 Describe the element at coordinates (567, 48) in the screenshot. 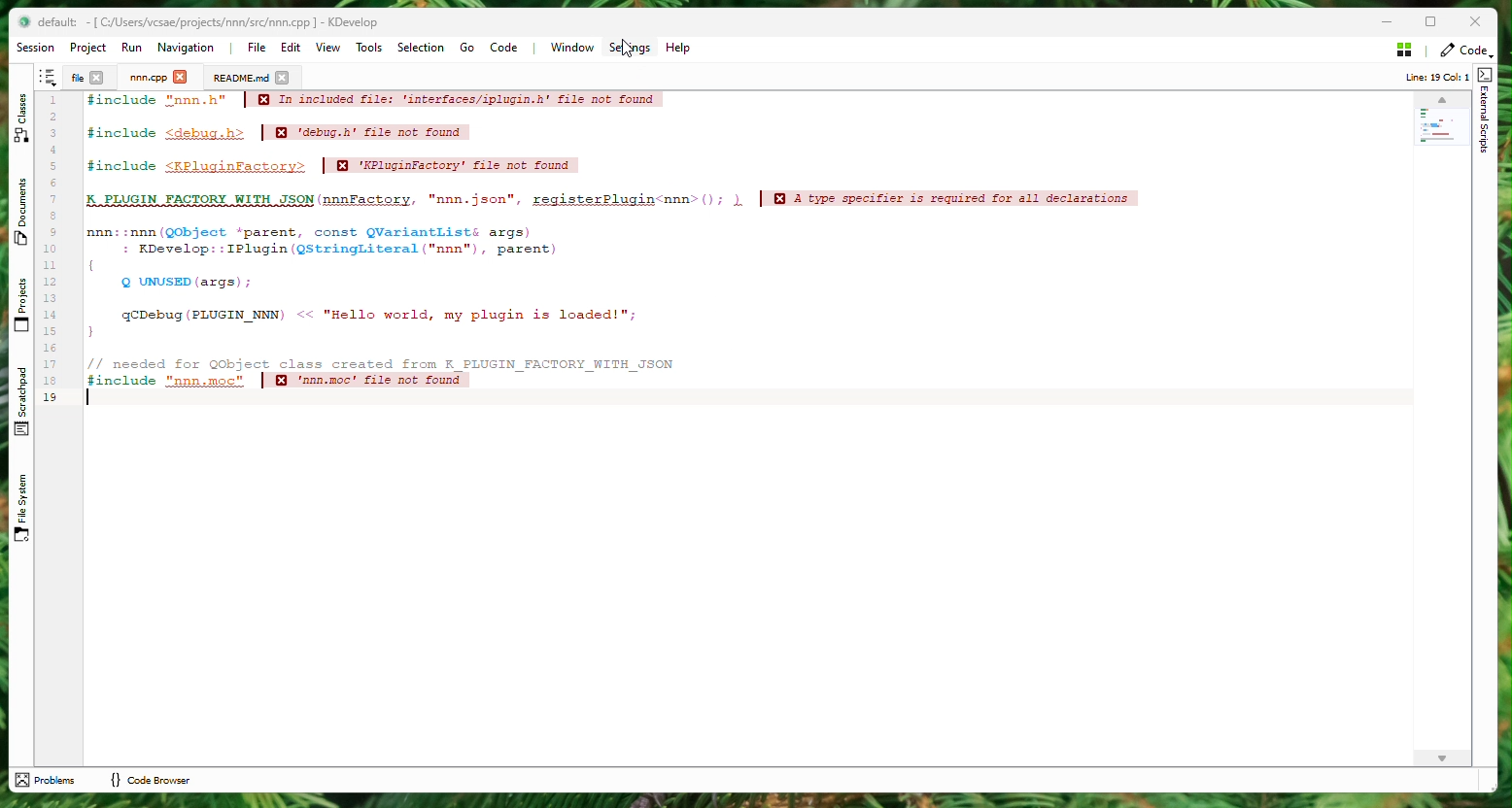

I see `Window` at that location.